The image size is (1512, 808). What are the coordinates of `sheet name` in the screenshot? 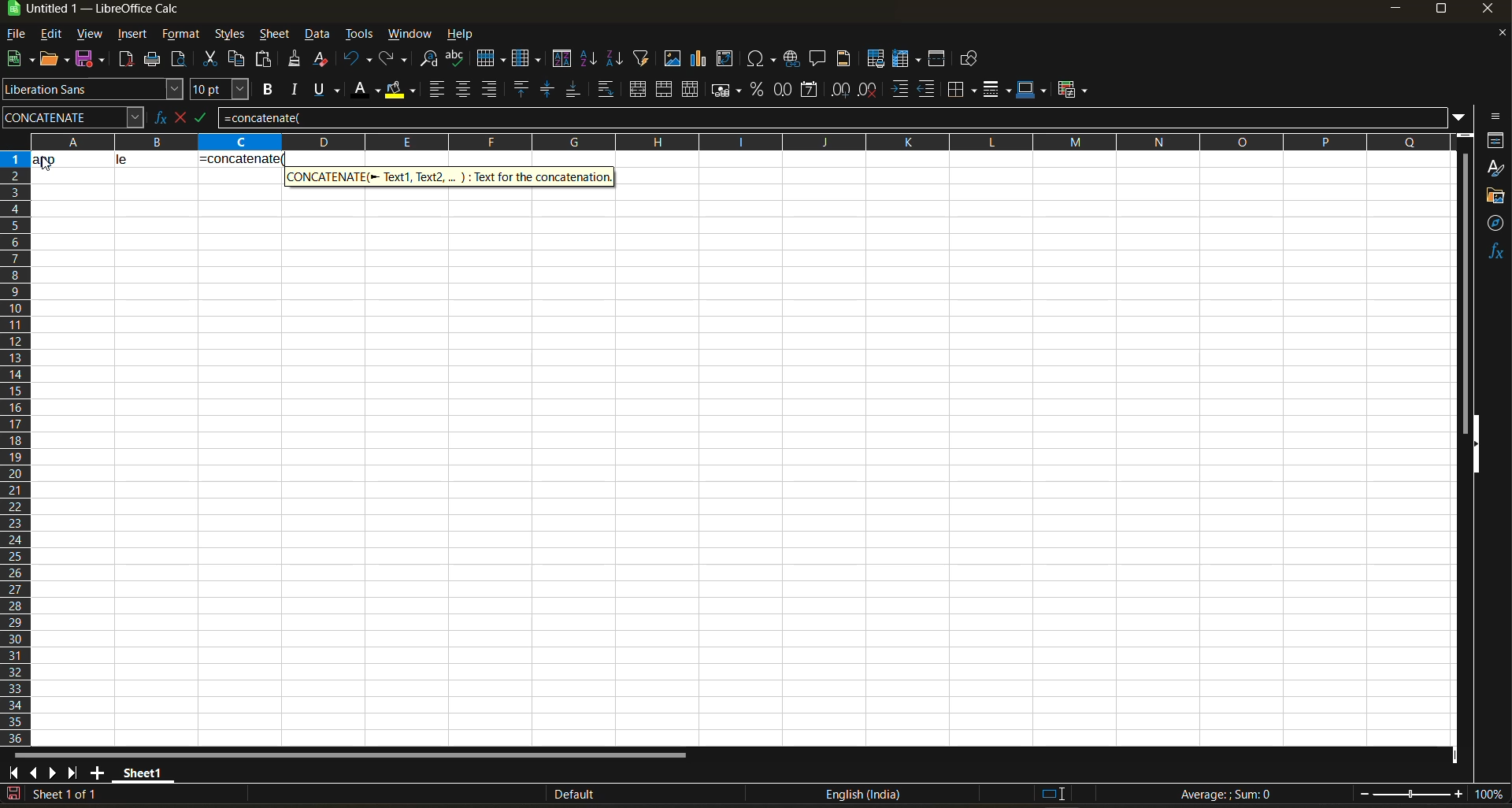 It's located at (140, 770).